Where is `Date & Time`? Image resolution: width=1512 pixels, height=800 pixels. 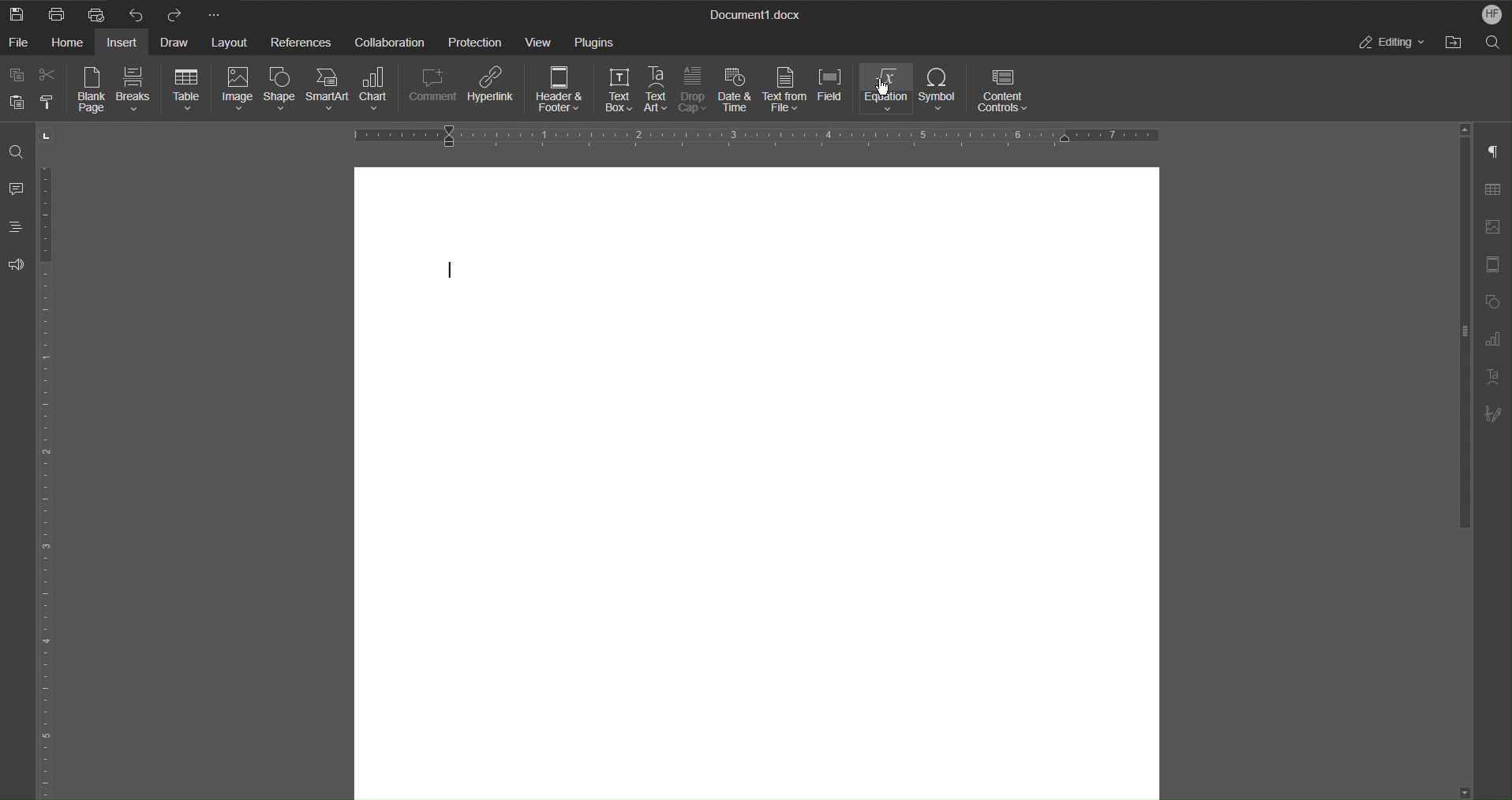 Date & Time is located at coordinates (738, 91).